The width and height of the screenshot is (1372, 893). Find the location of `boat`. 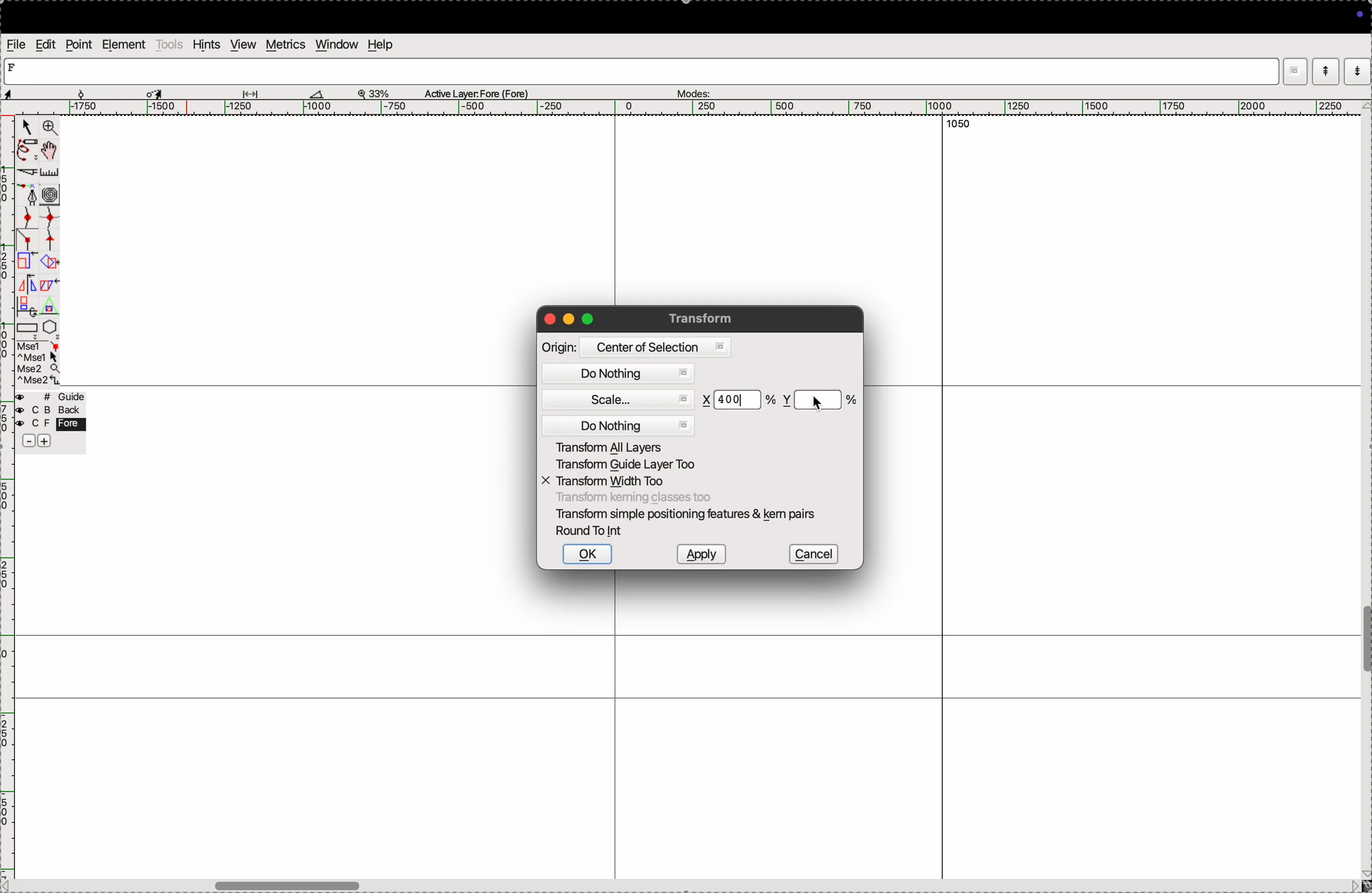

boat is located at coordinates (322, 93).